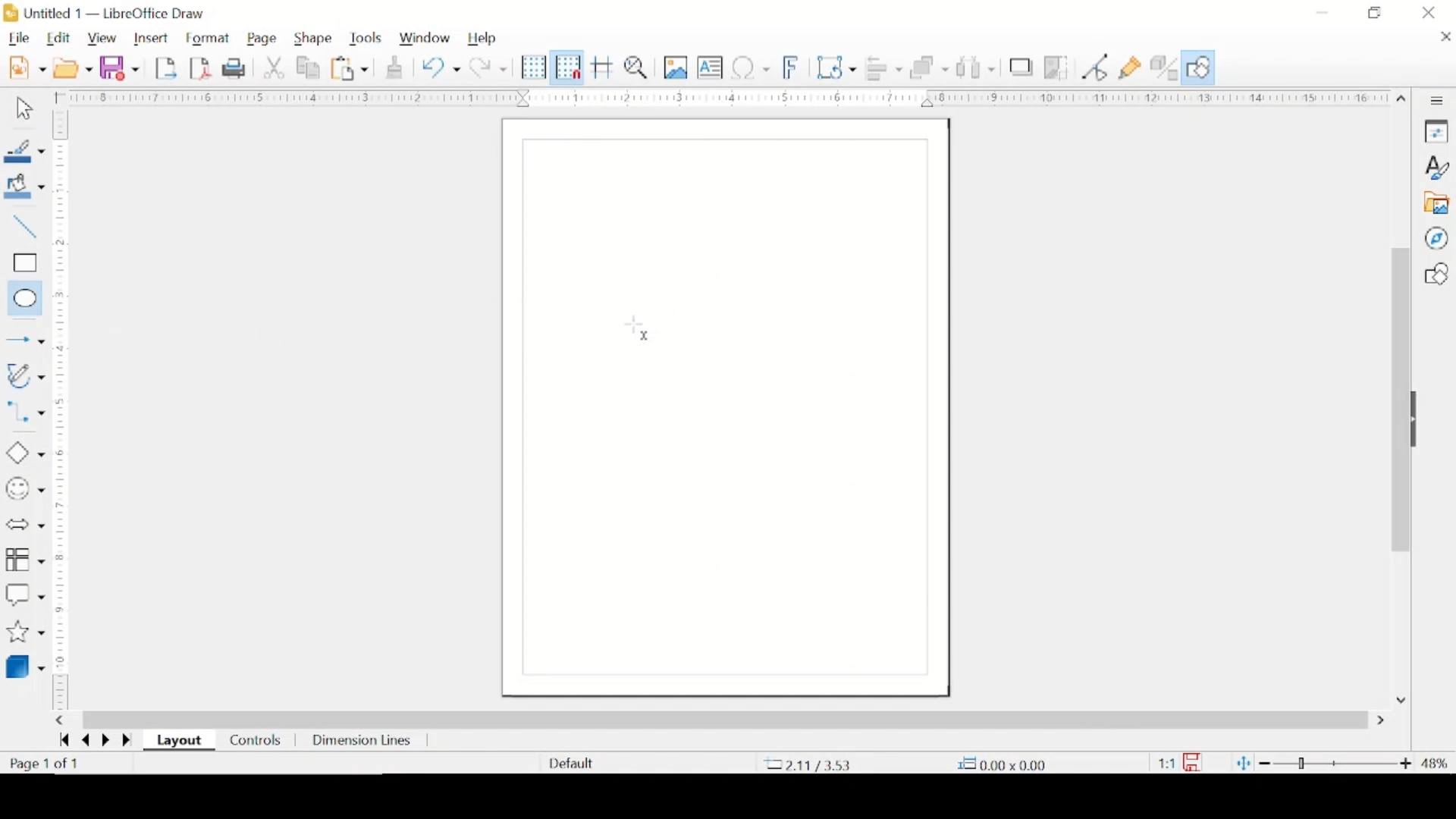 Image resolution: width=1456 pixels, height=819 pixels. What do you see at coordinates (1434, 763) in the screenshot?
I see `zoom level` at bounding box center [1434, 763].